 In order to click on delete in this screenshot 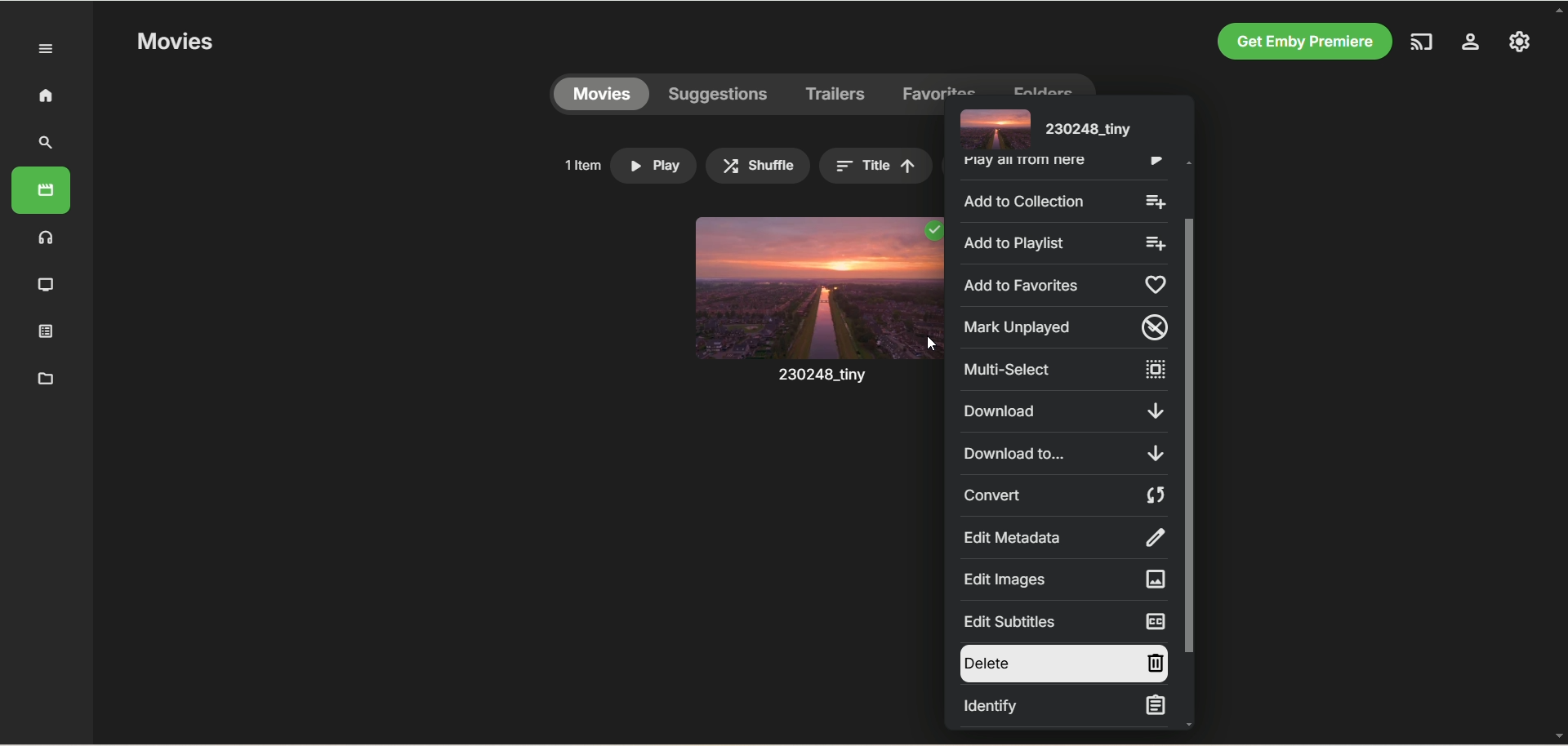, I will do `click(1062, 664)`.